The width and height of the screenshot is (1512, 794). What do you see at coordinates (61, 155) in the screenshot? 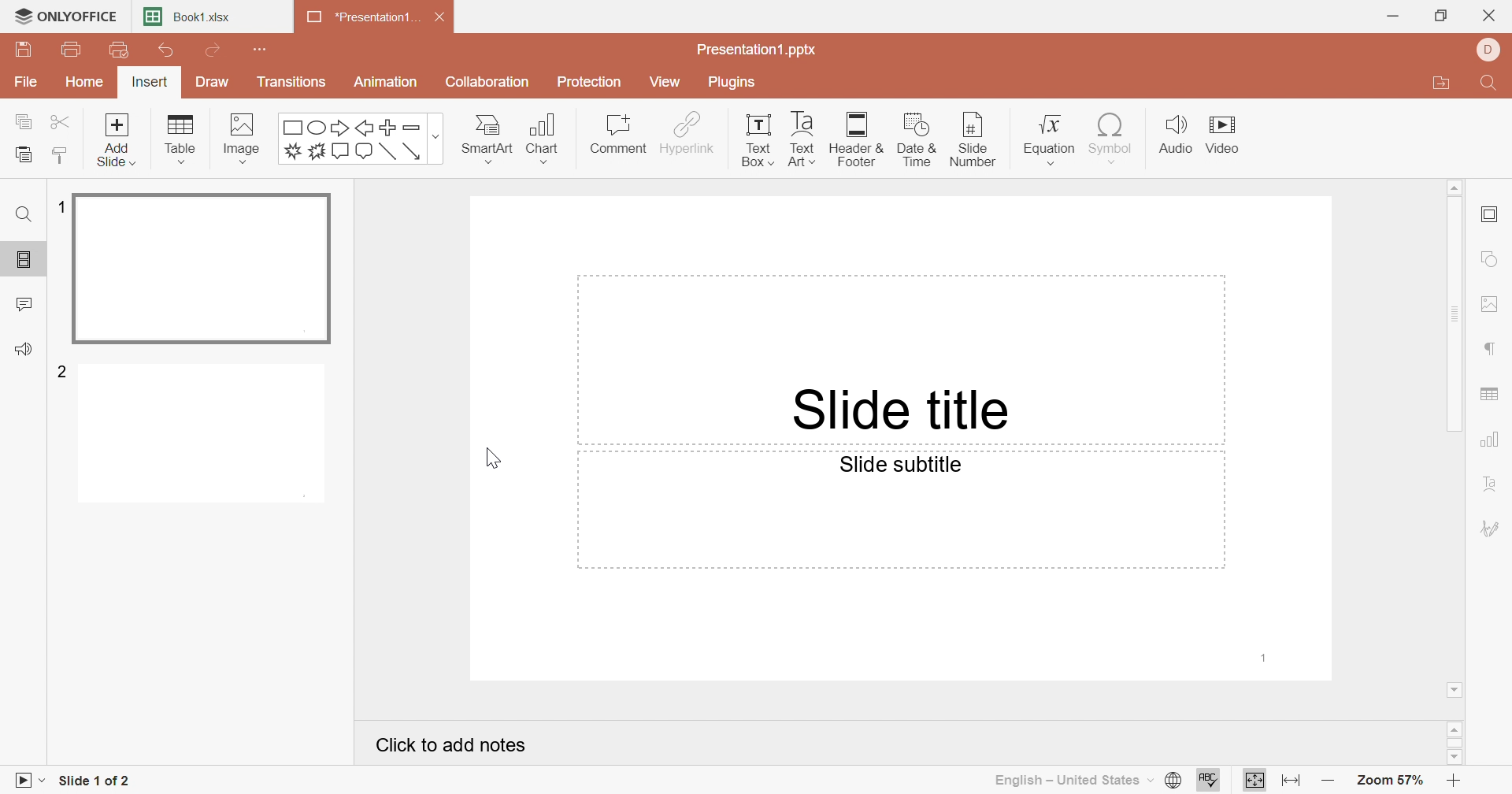
I see `Copy Style` at bounding box center [61, 155].